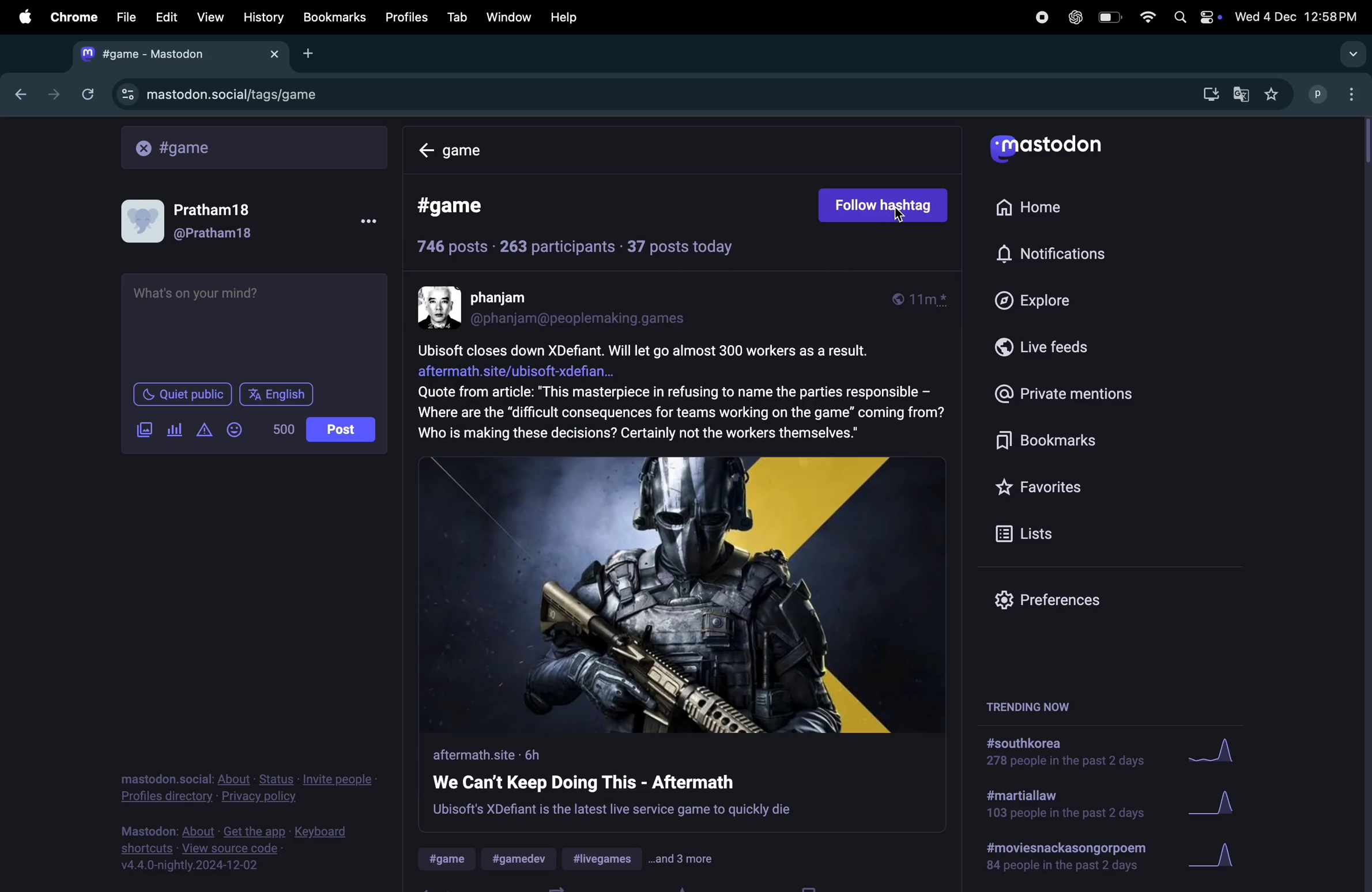 The height and width of the screenshot is (892, 1372). What do you see at coordinates (181, 394) in the screenshot?
I see `Quiet public` at bounding box center [181, 394].